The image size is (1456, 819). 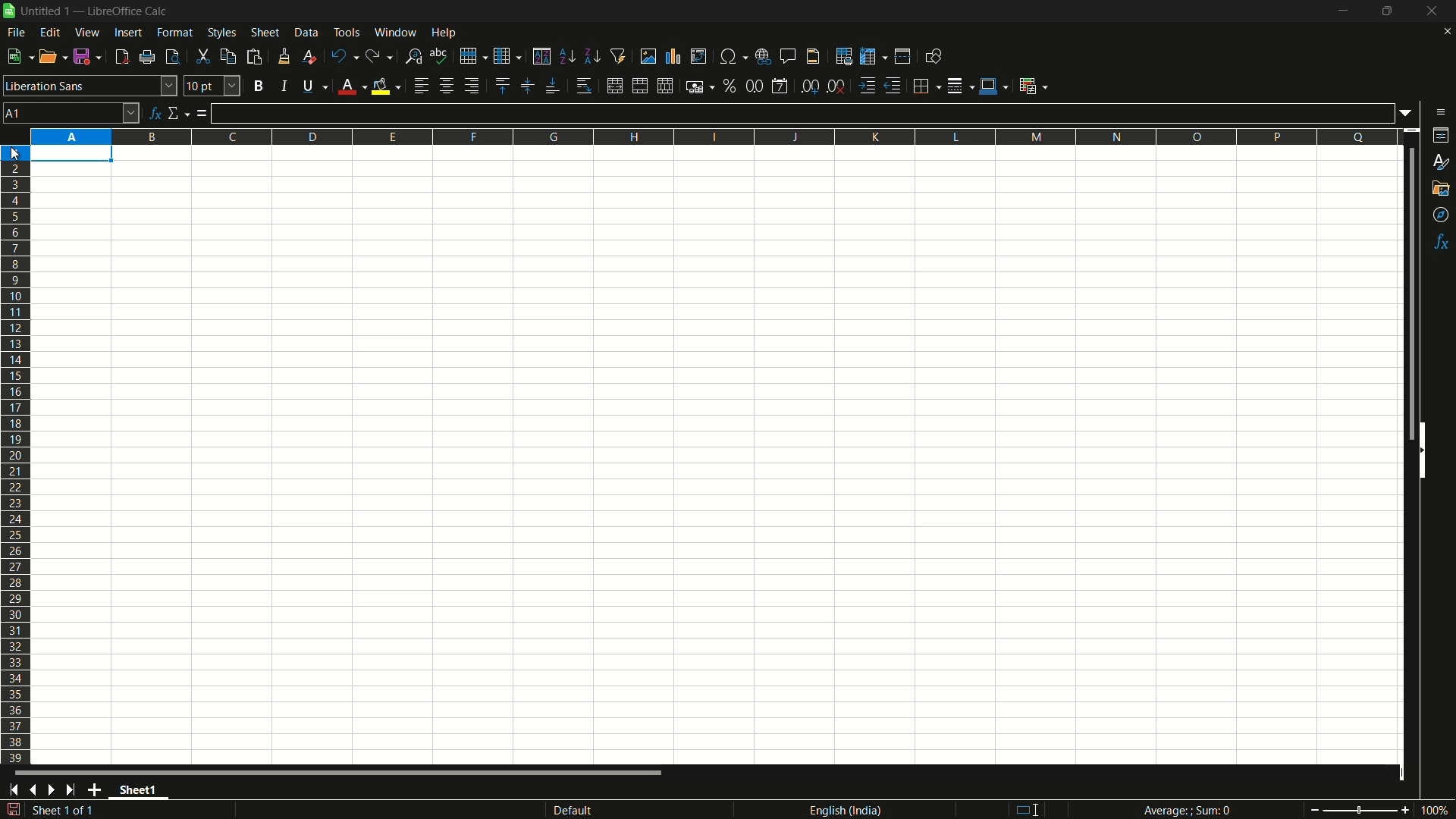 What do you see at coordinates (591, 56) in the screenshot?
I see `sort descending` at bounding box center [591, 56].